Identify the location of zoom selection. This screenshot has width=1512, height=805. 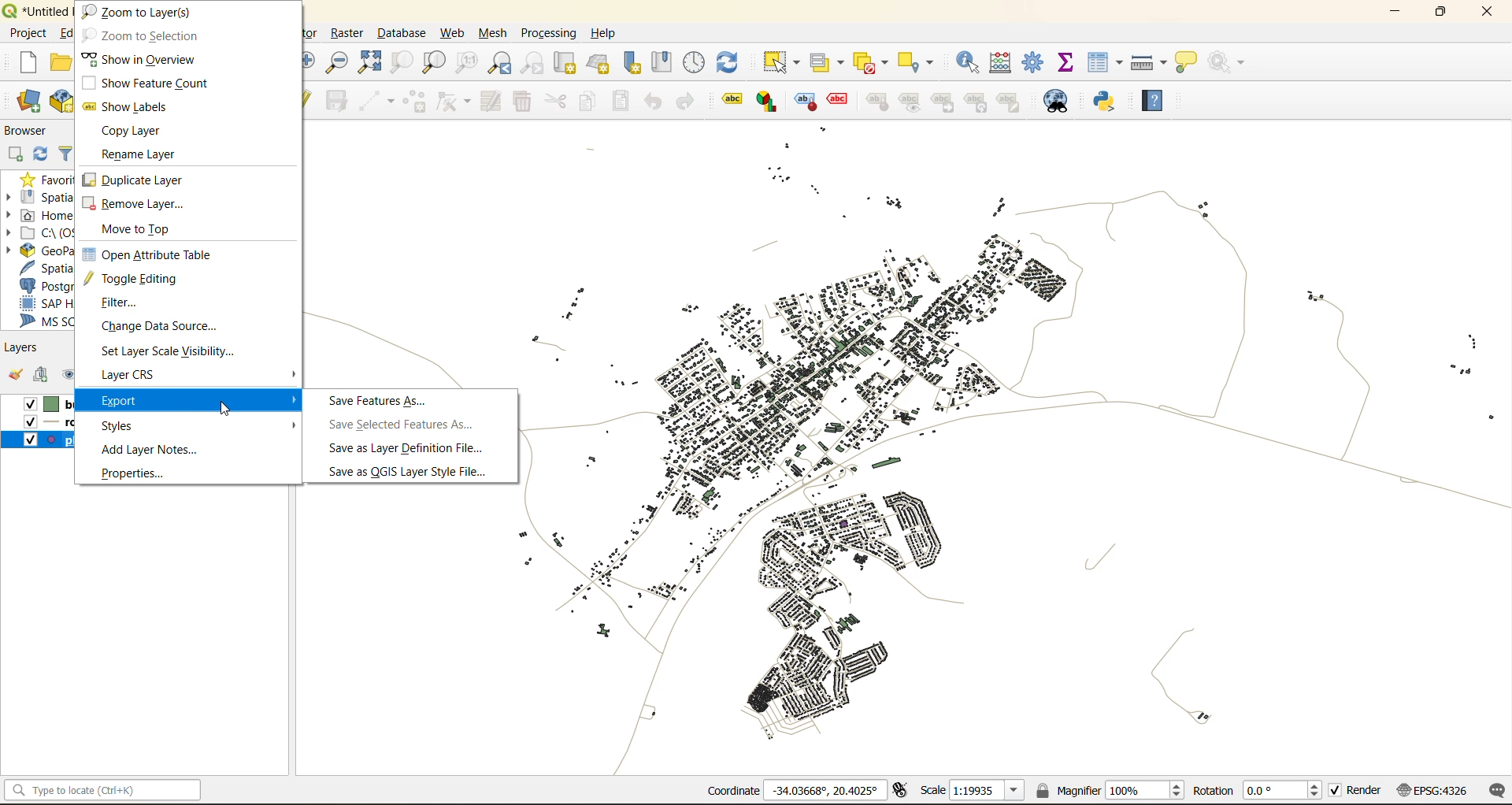
(400, 63).